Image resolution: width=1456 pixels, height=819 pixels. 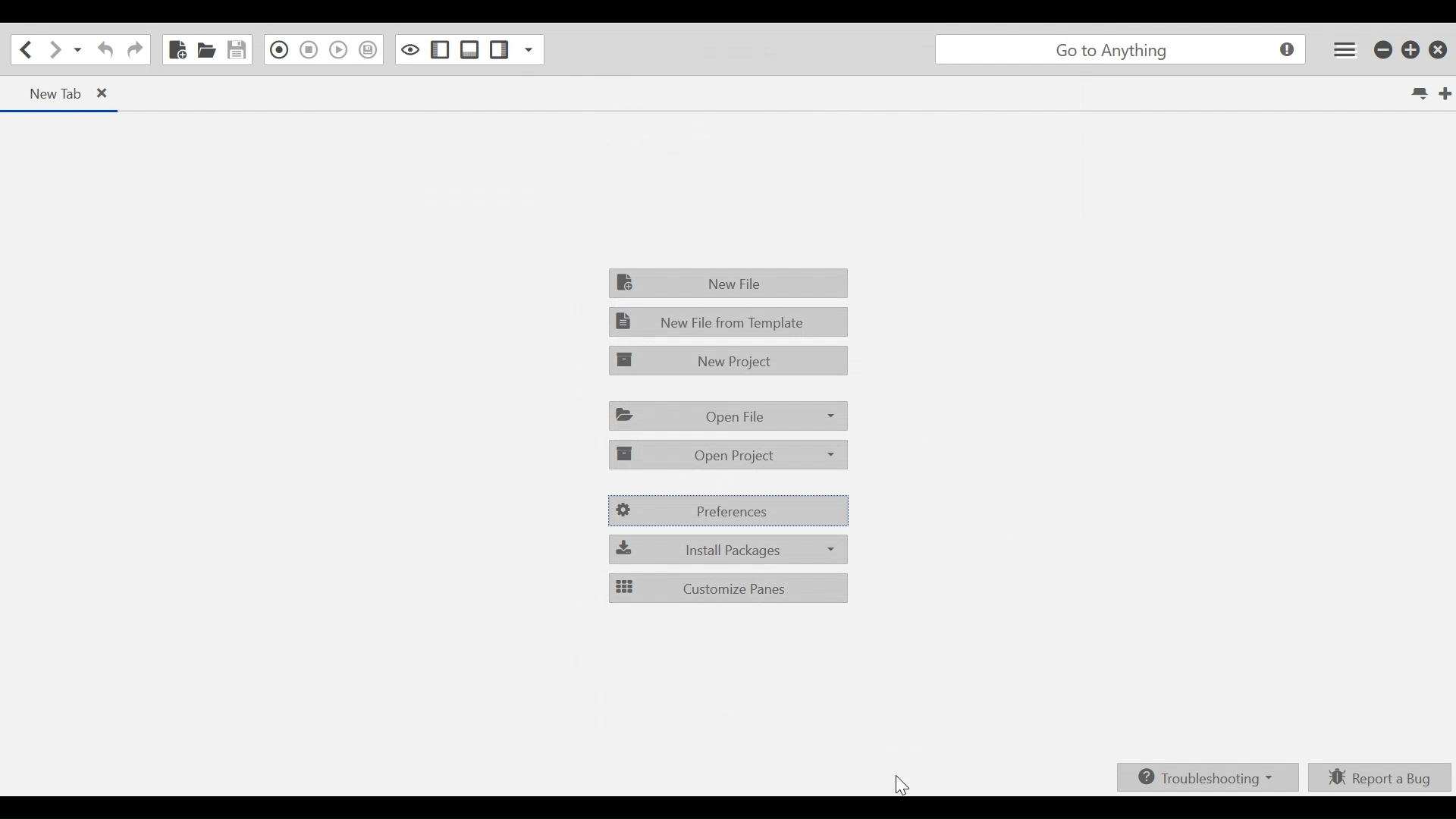 I want to click on Open Project, so click(x=726, y=455).